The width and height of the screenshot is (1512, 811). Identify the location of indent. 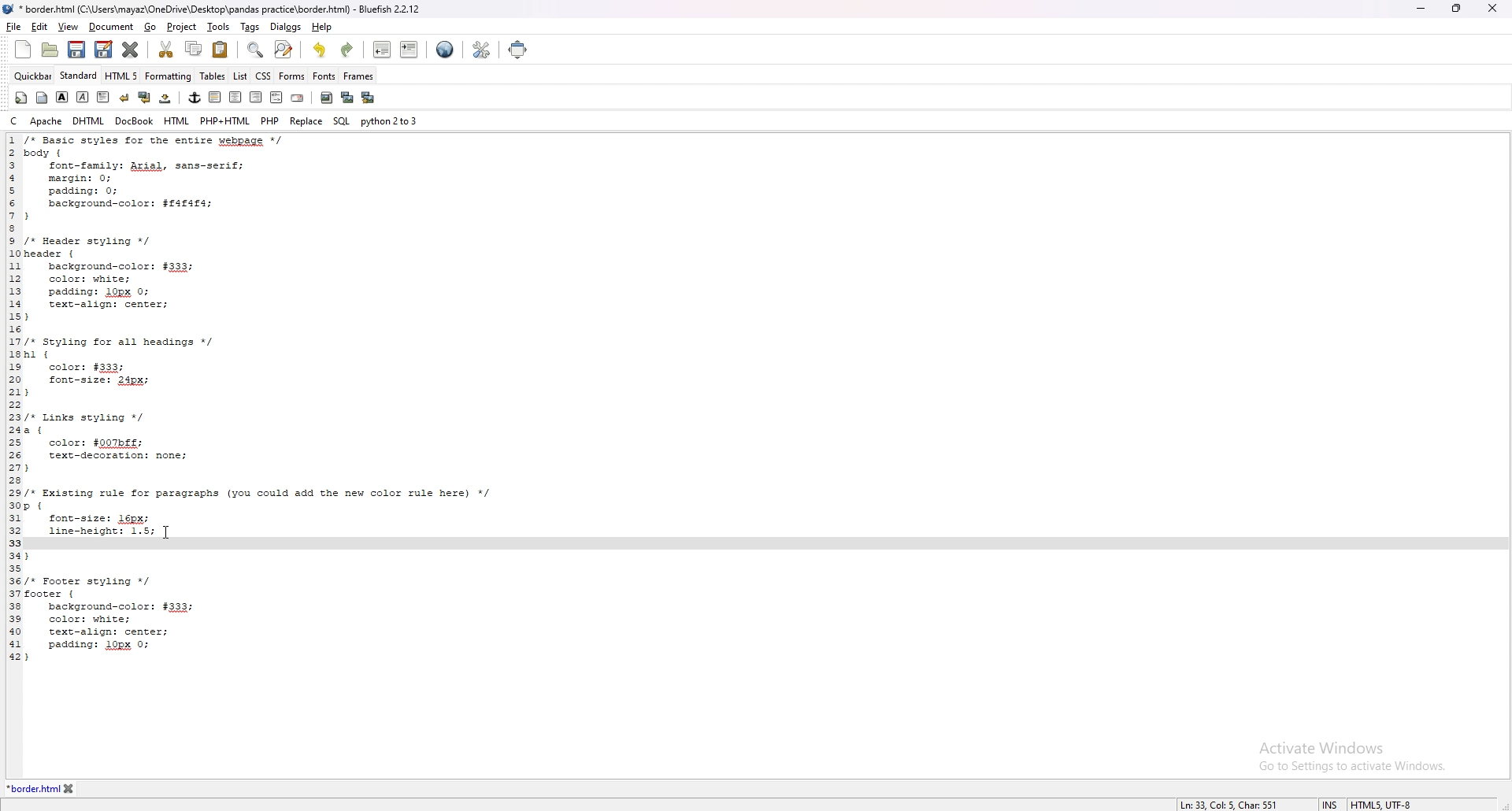
(409, 50).